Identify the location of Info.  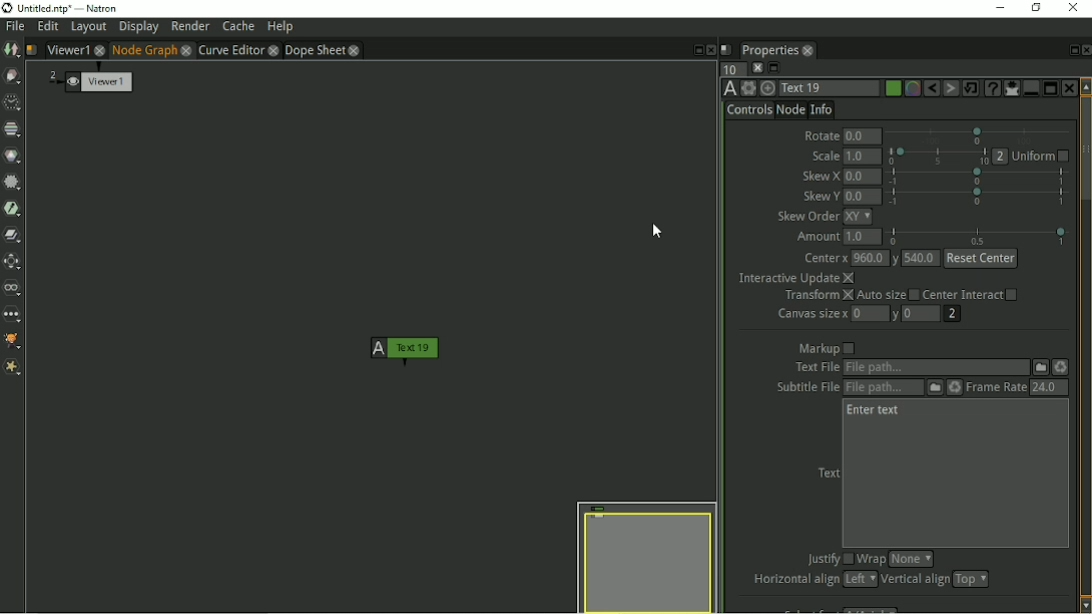
(822, 109).